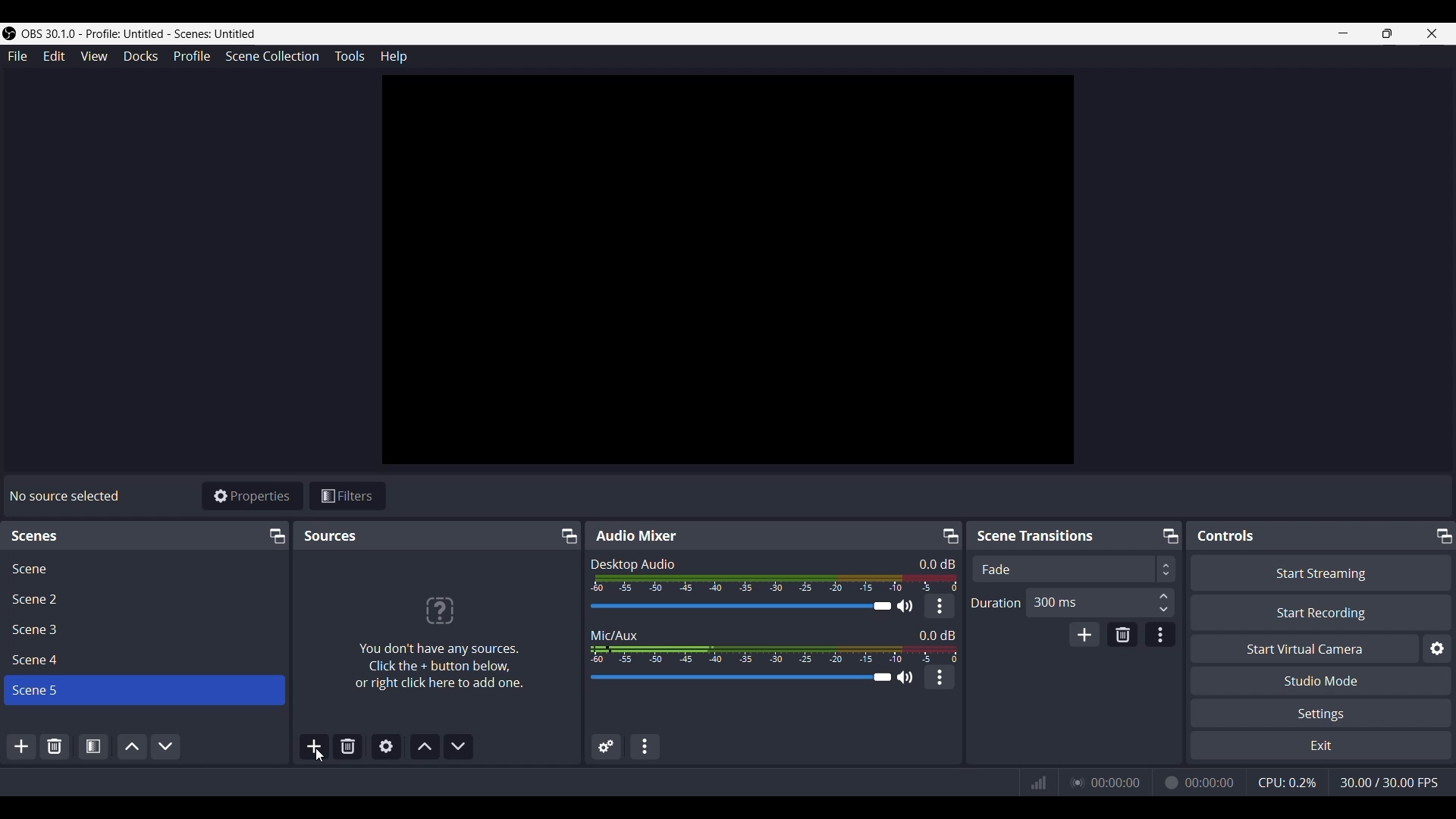 This screenshot has height=819, width=1456. I want to click on Move Sources Down, so click(459, 745).